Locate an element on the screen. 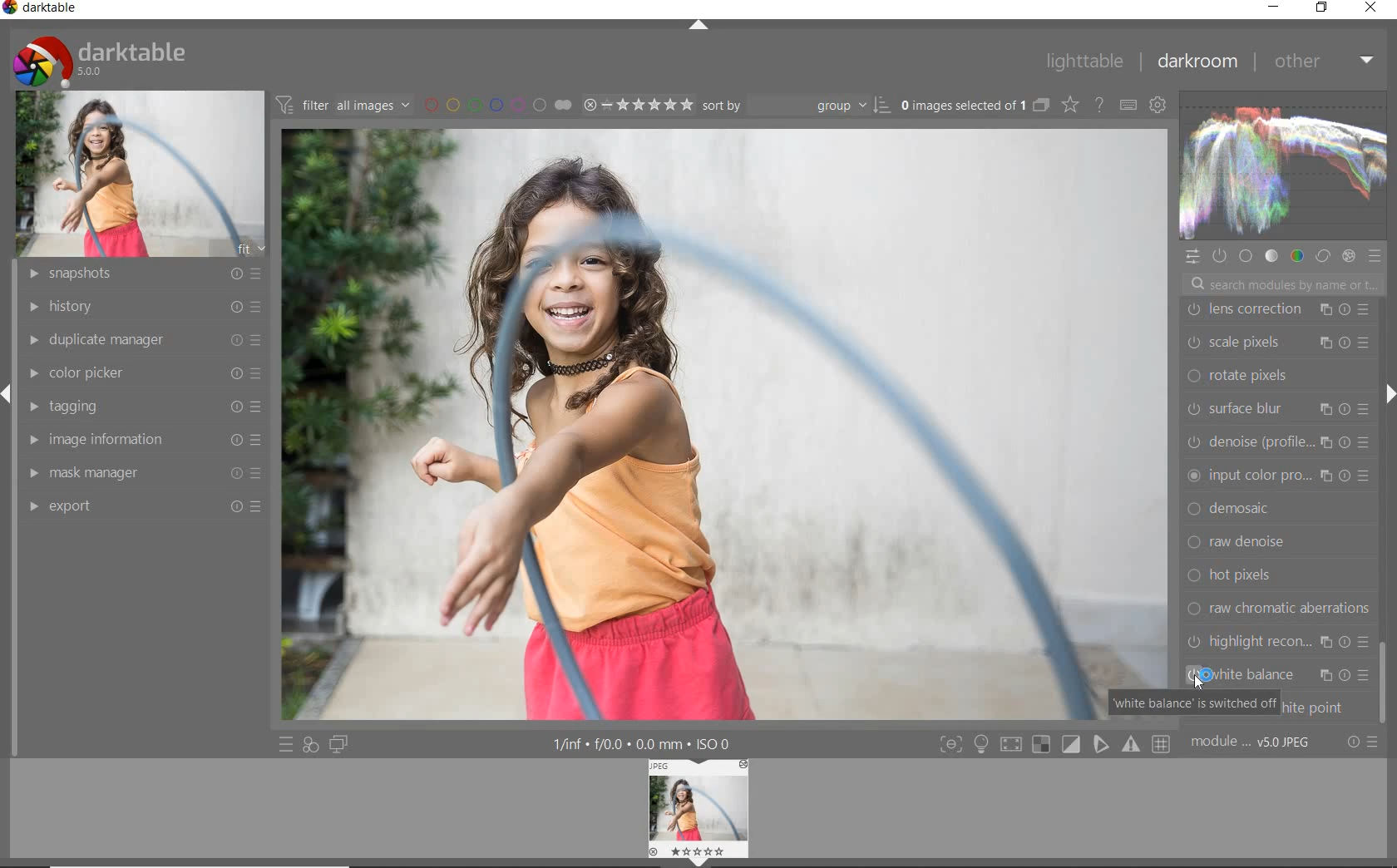 The height and width of the screenshot is (868, 1397). expand / collapse is located at coordinates (697, 28).